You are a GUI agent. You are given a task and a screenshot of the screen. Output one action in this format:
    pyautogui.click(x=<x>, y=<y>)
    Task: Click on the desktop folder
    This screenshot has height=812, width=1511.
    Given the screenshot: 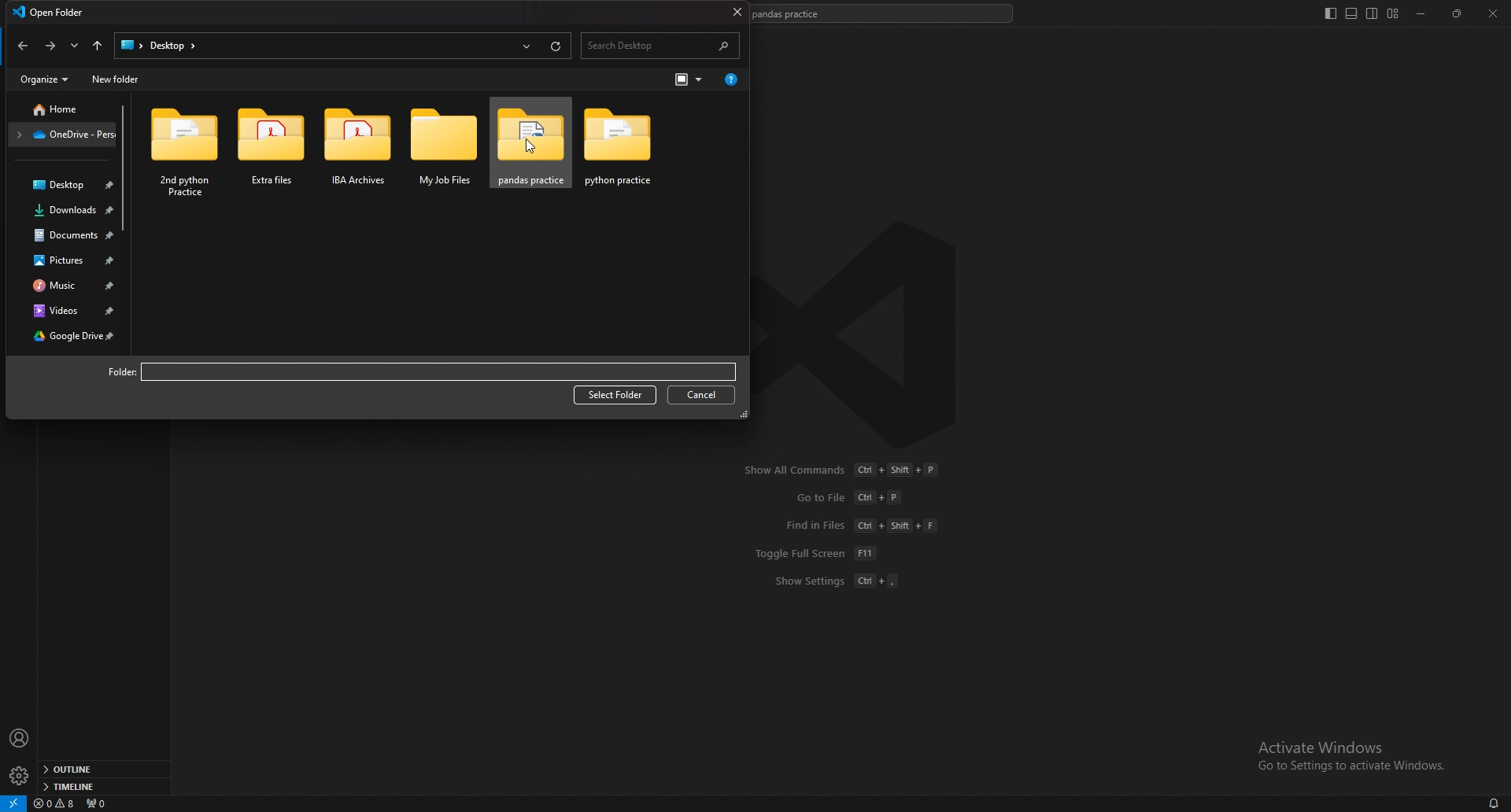 What is the action you would take?
    pyautogui.click(x=66, y=183)
    